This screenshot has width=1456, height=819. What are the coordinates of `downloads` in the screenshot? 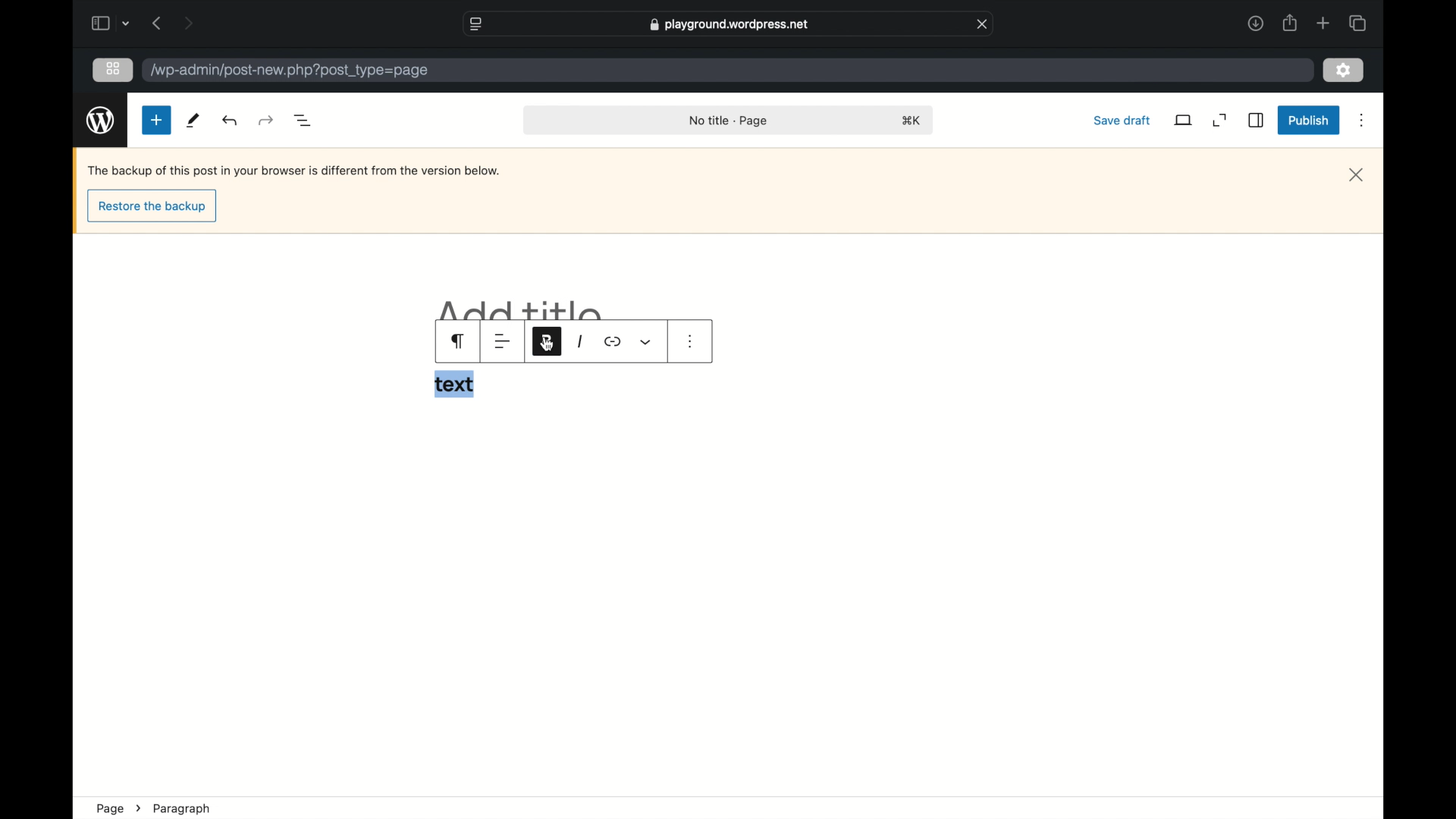 It's located at (1256, 23).